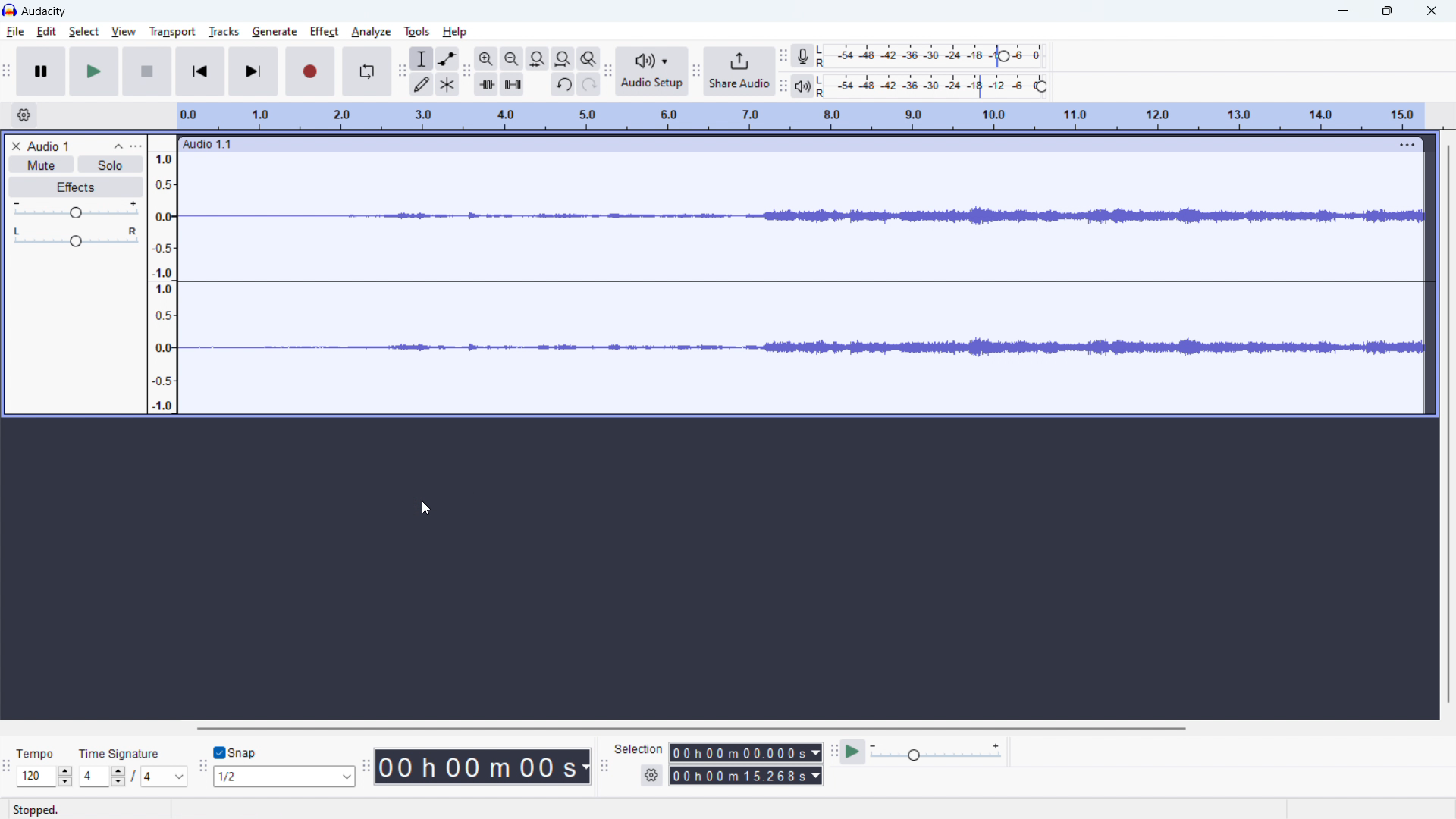 The image size is (1456, 819). I want to click on edit, so click(47, 32).